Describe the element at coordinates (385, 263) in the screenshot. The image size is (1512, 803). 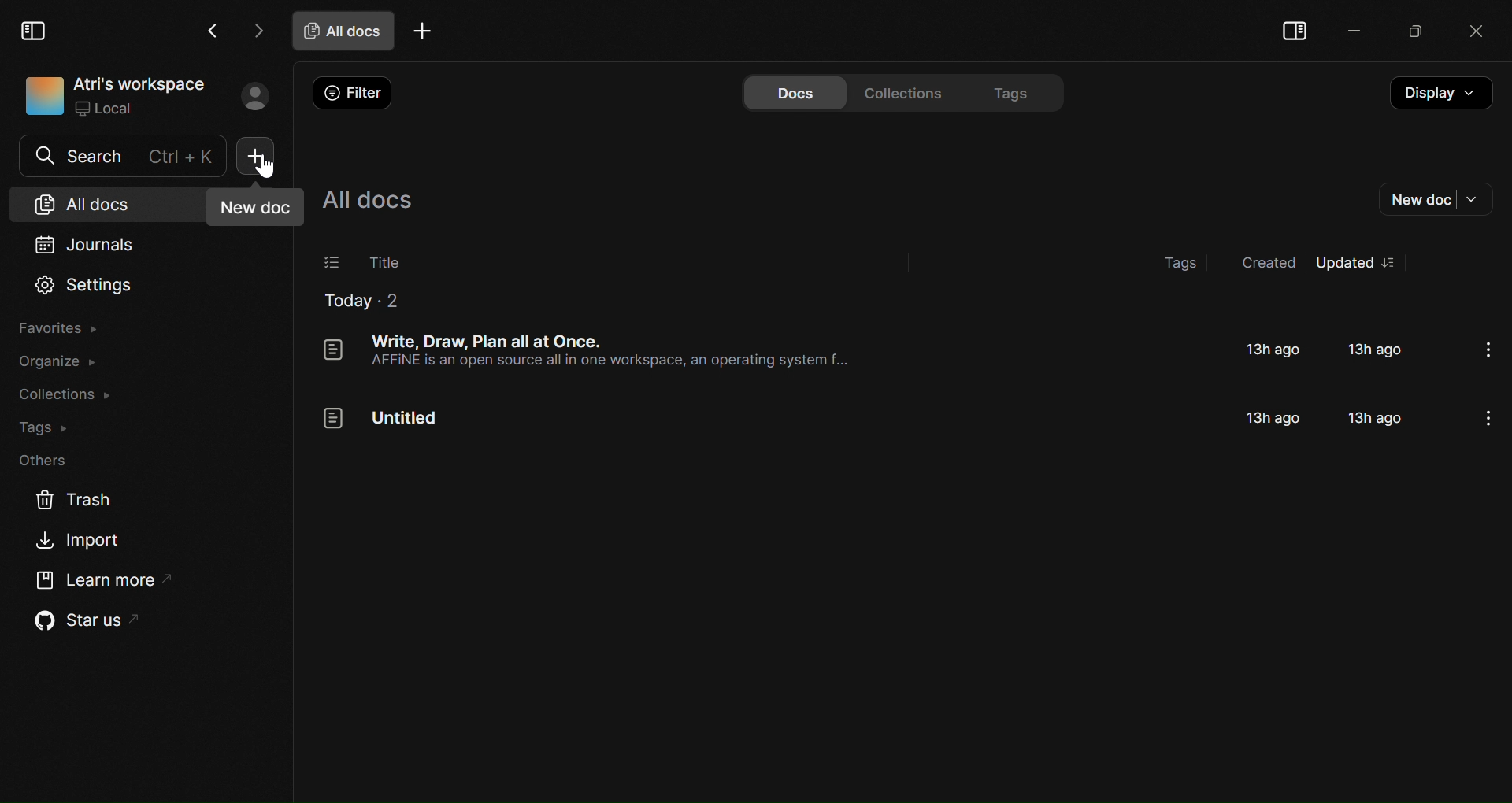
I see `Title` at that location.